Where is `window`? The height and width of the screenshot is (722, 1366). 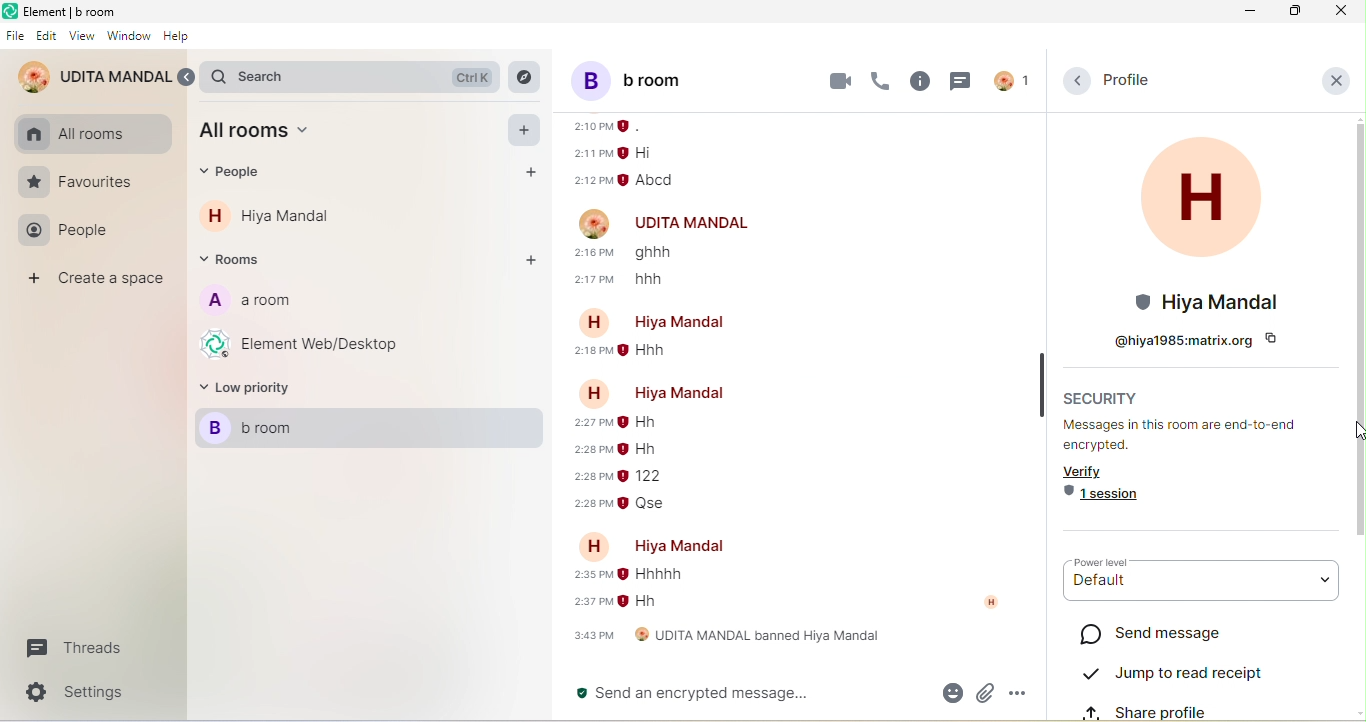
window is located at coordinates (130, 38).